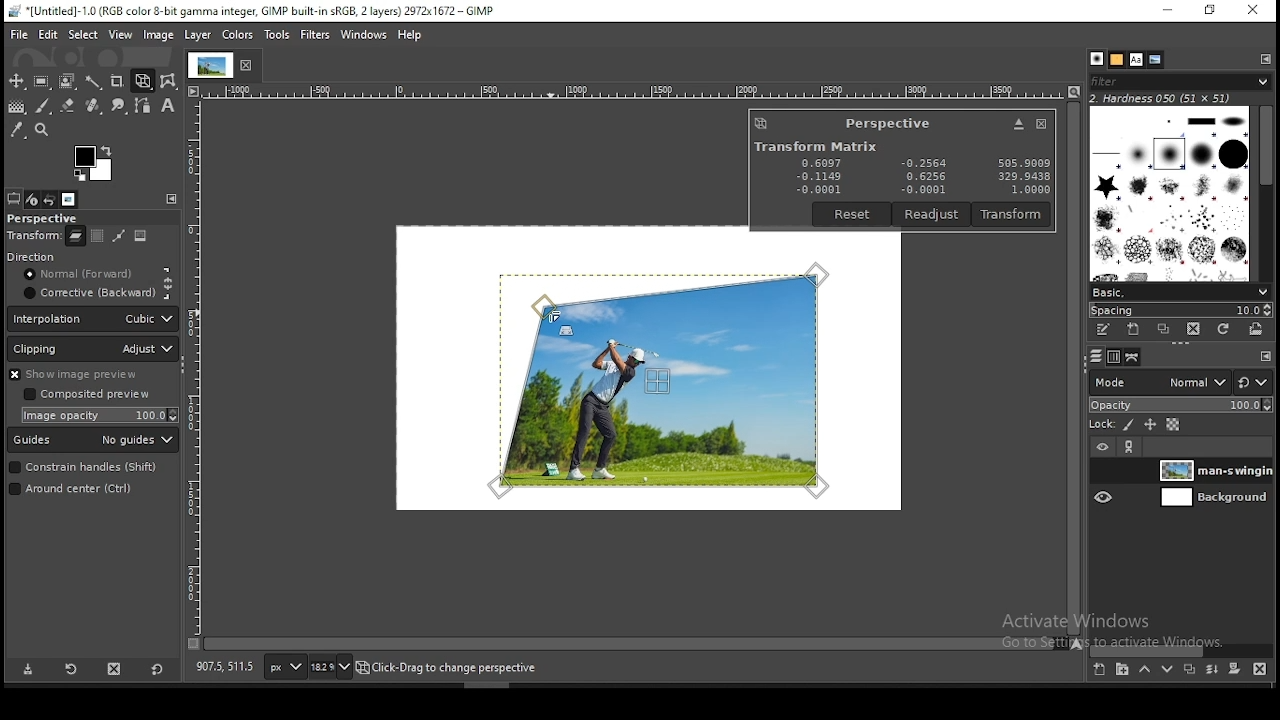 The image size is (1280, 720). What do you see at coordinates (68, 82) in the screenshot?
I see `foreground select tool` at bounding box center [68, 82].